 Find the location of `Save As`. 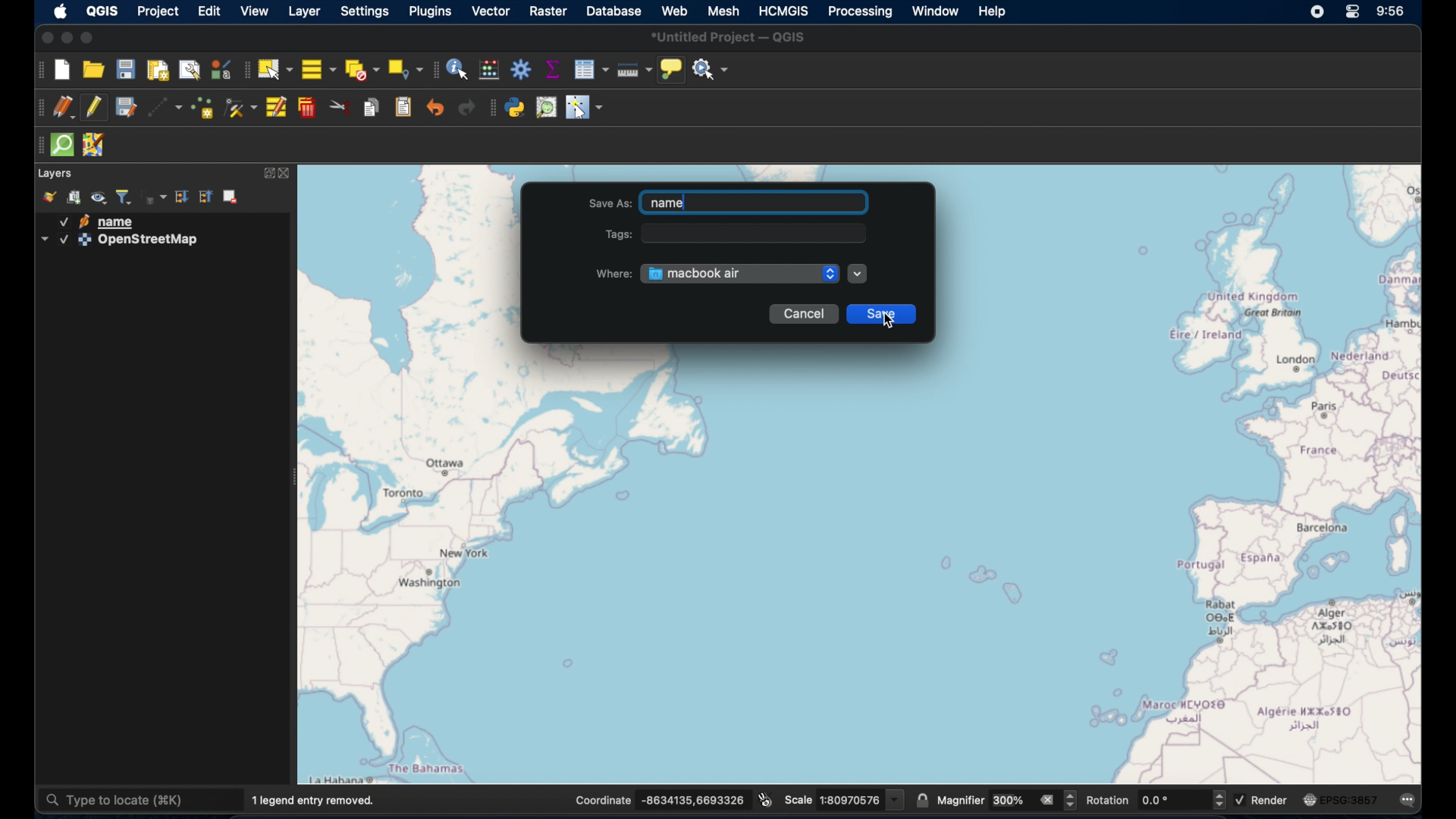

Save As is located at coordinates (731, 202).